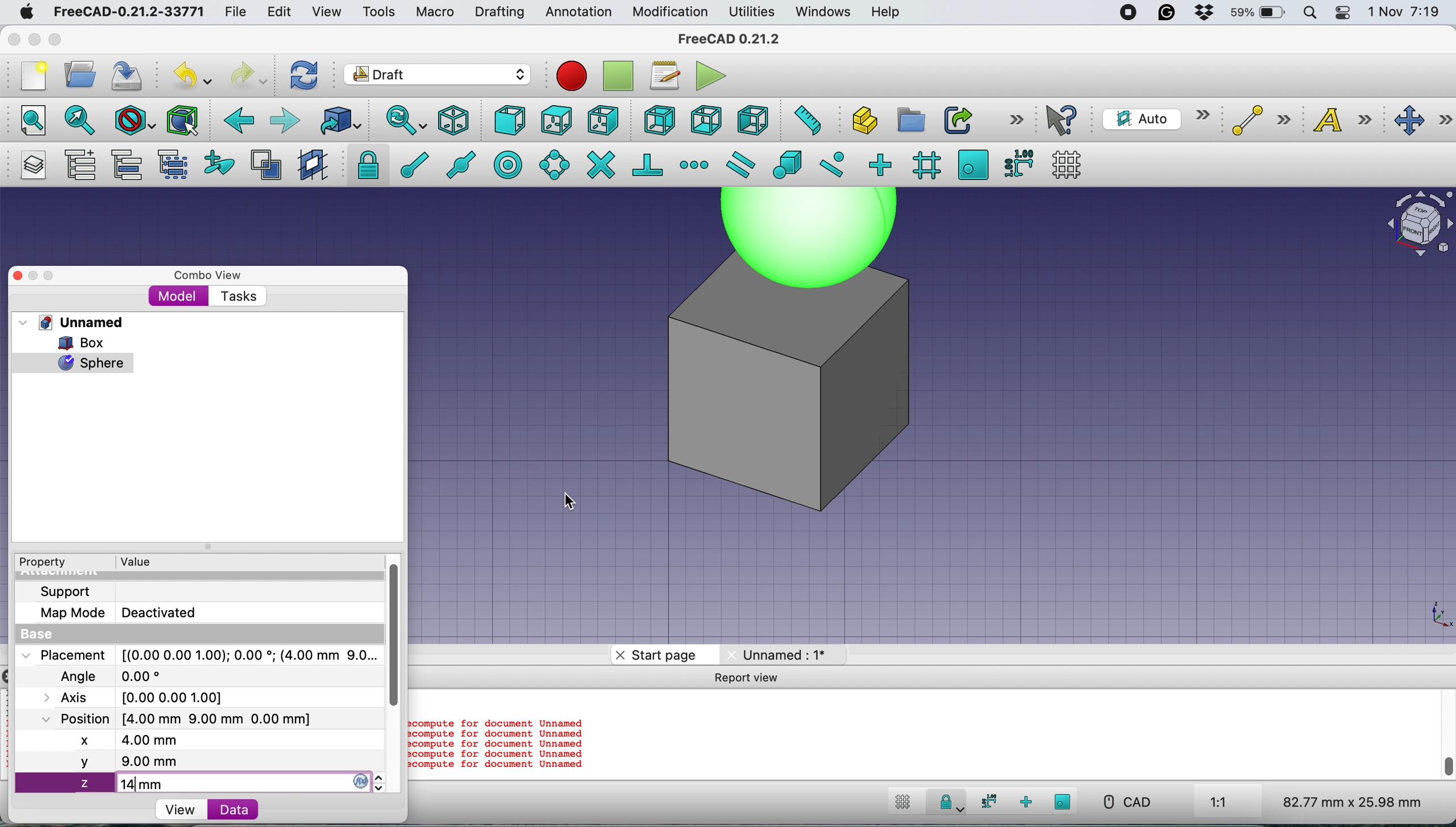 The image size is (1456, 827). Describe the element at coordinates (900, 804) in the screenshot. I see `toggle grid` at that location.